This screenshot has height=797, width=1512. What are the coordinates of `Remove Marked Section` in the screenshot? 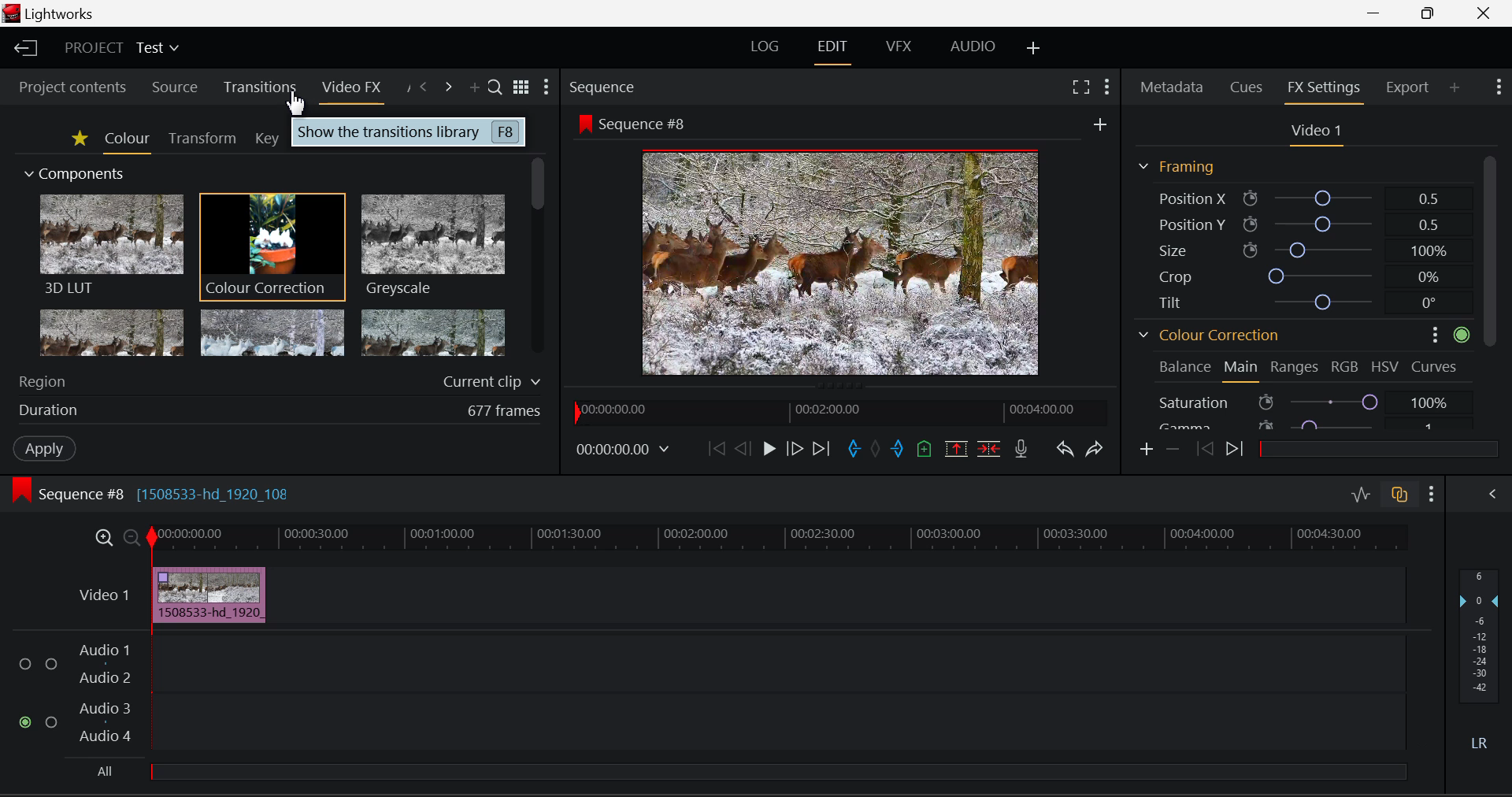 It's located at (955, 449).